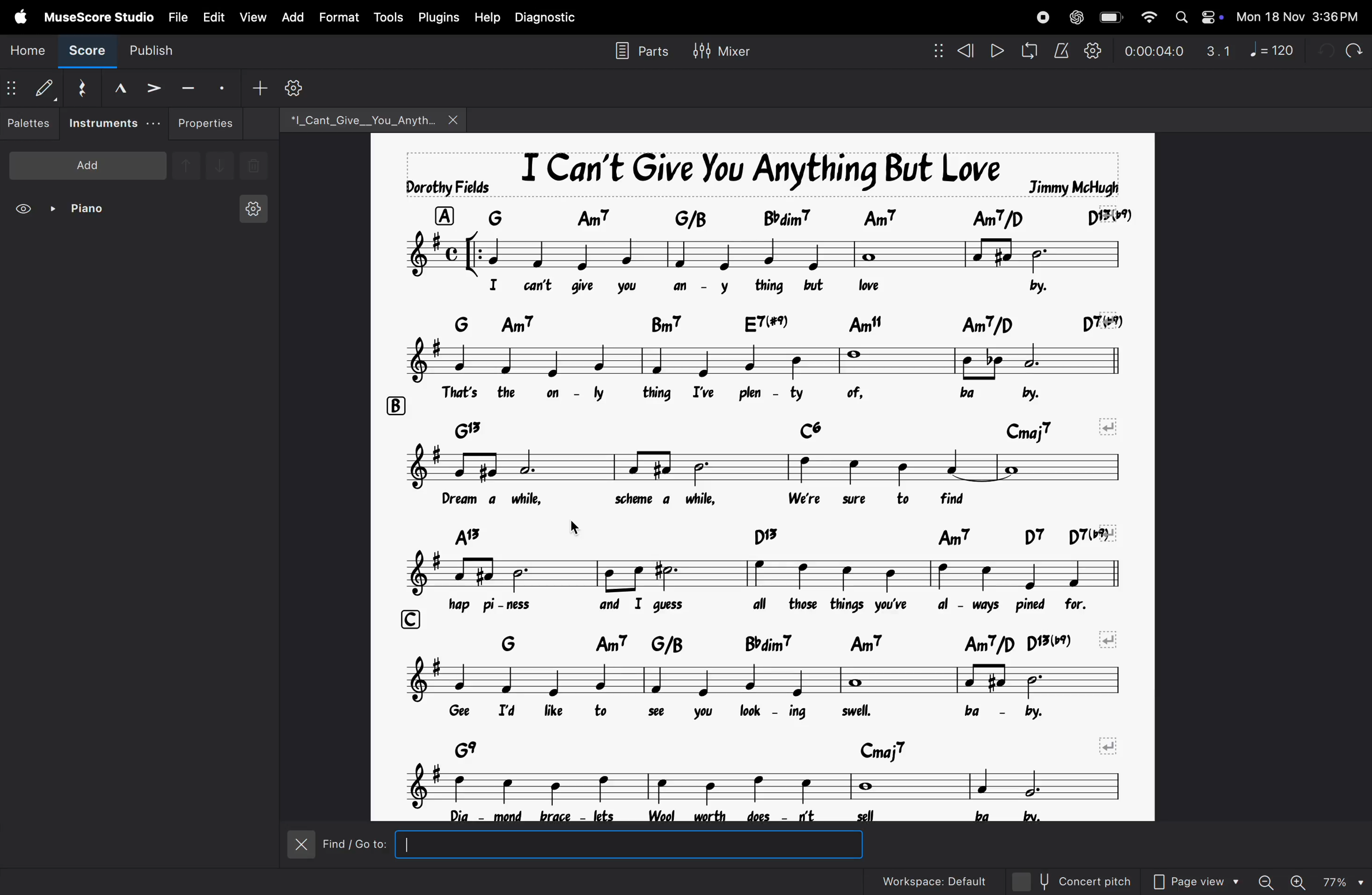 Image resolution: width=1372 pixels, height=895 pixels. Describe the element at coordinates (120, 89) in the screenshot. I see `marcato` at that location.